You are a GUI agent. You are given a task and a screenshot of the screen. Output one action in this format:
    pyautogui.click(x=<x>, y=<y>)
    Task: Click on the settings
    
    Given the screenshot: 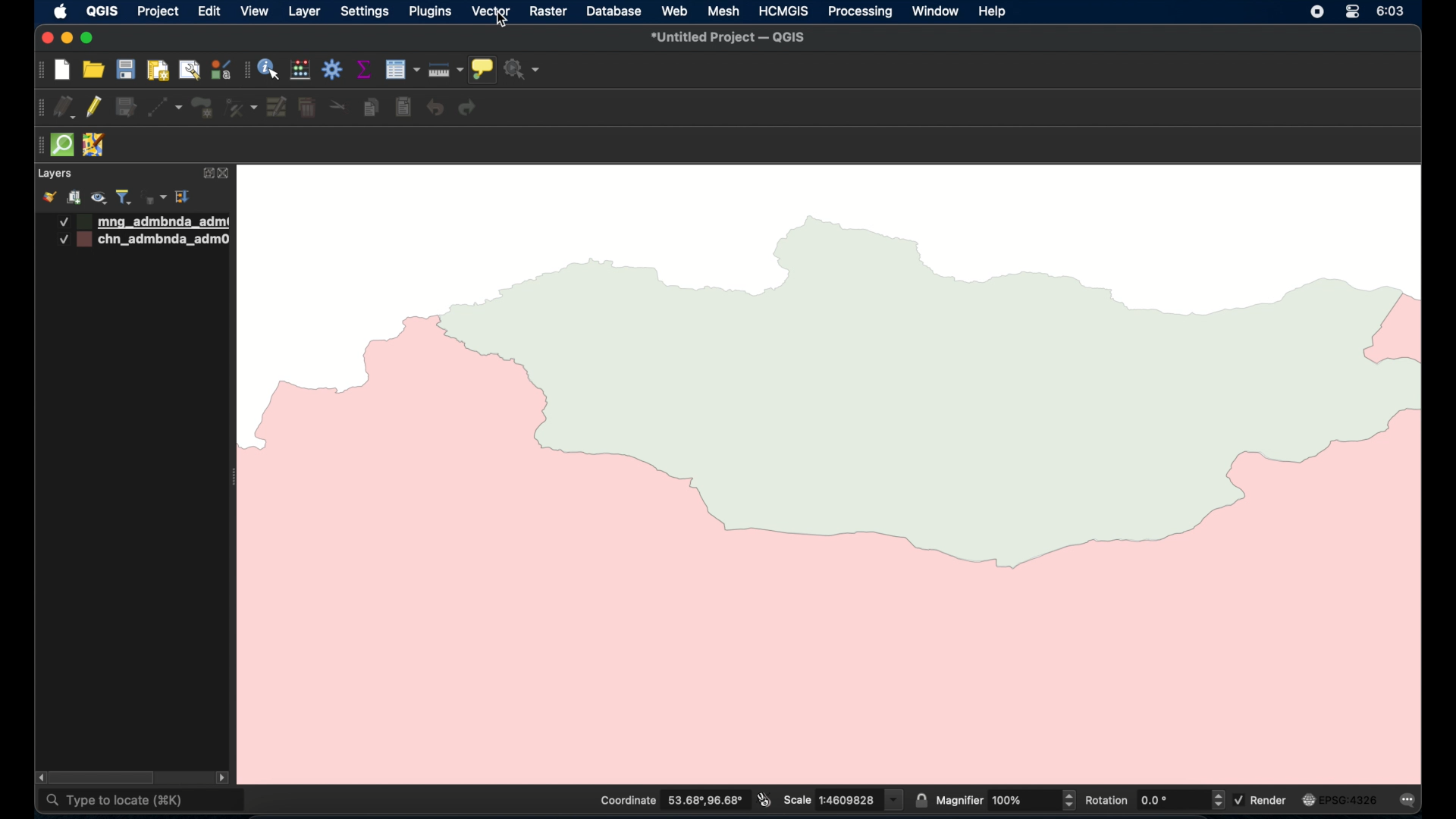 What is the action you would take?
    pyautogui.click(x=364, y=13)
    